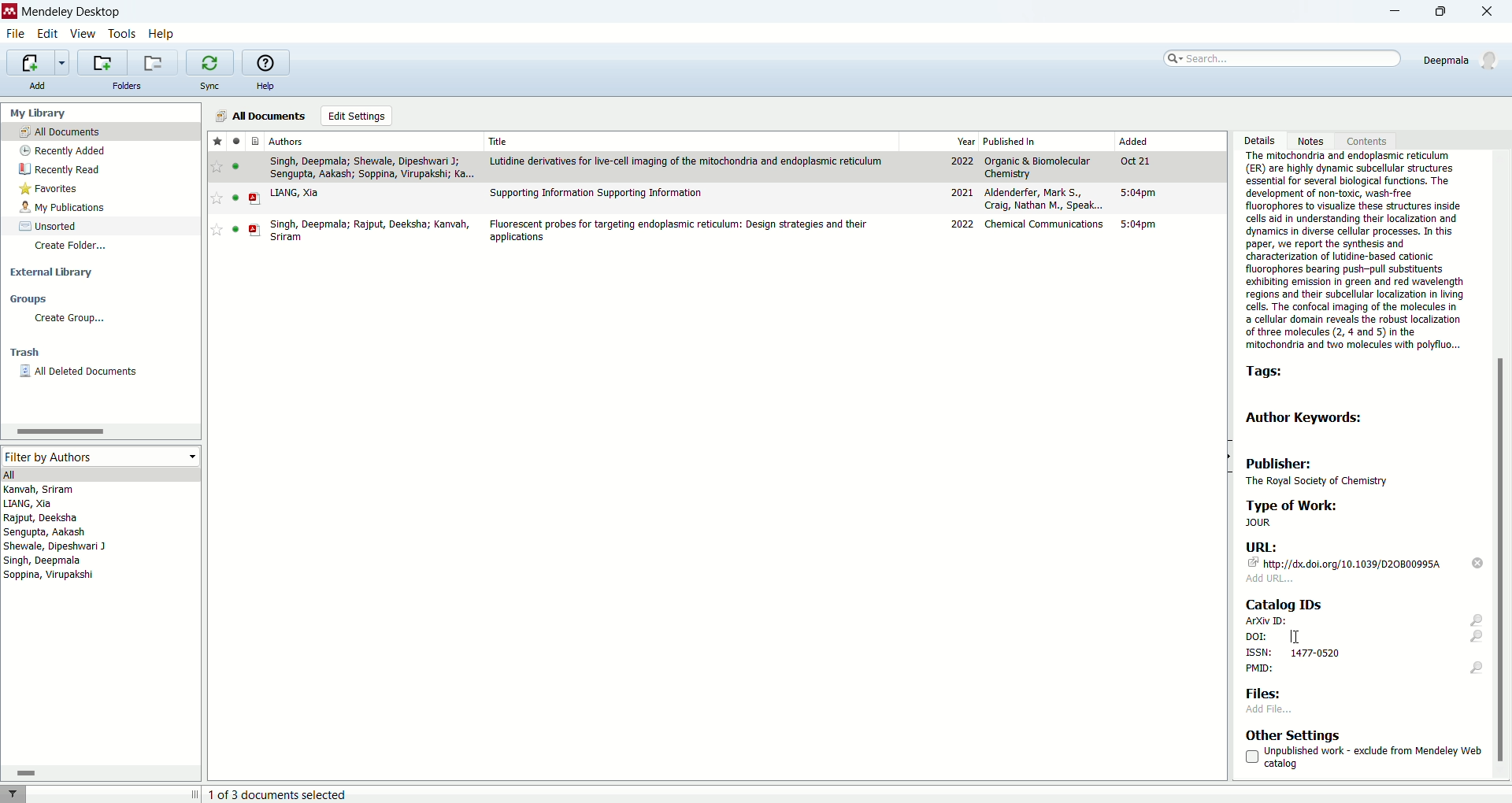 Image resolution: width=1512 pixels, height=803 pixels. I want to click on all deleted documents, so click(80, 372).